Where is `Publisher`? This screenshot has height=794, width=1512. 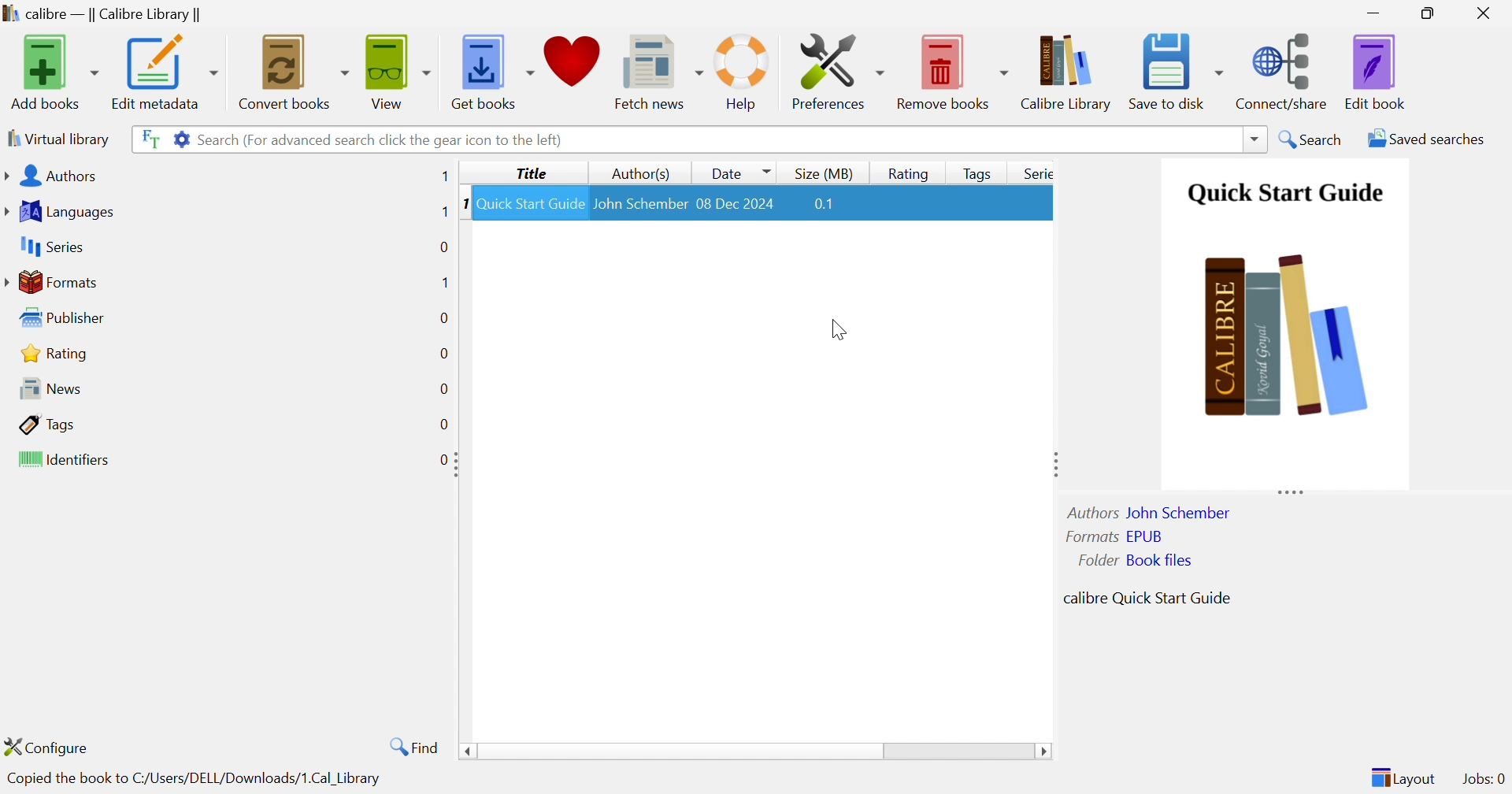 Publisher is located at coordinates (60, 316).